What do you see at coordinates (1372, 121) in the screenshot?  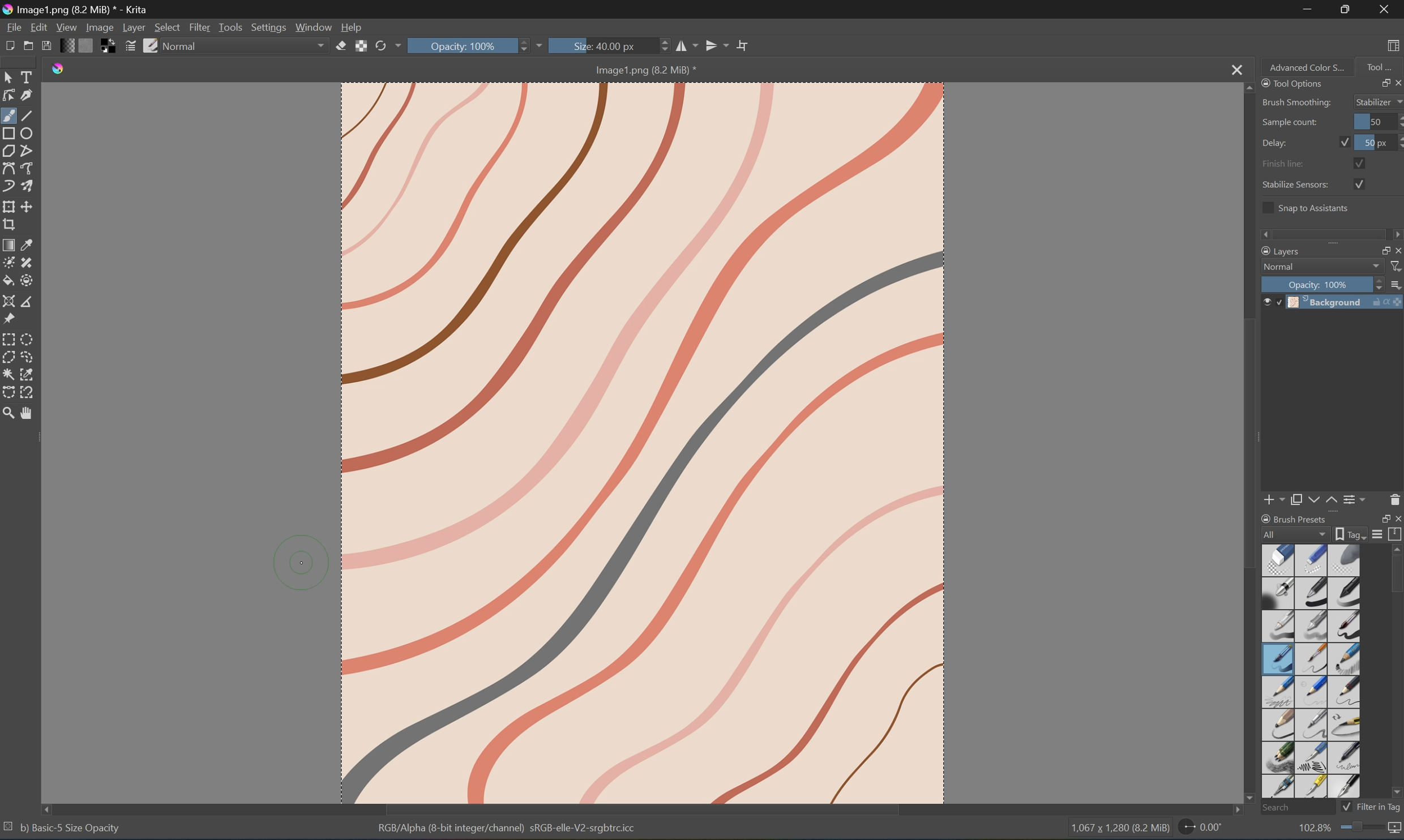 I see `50` at bounding box center [1372, 121].